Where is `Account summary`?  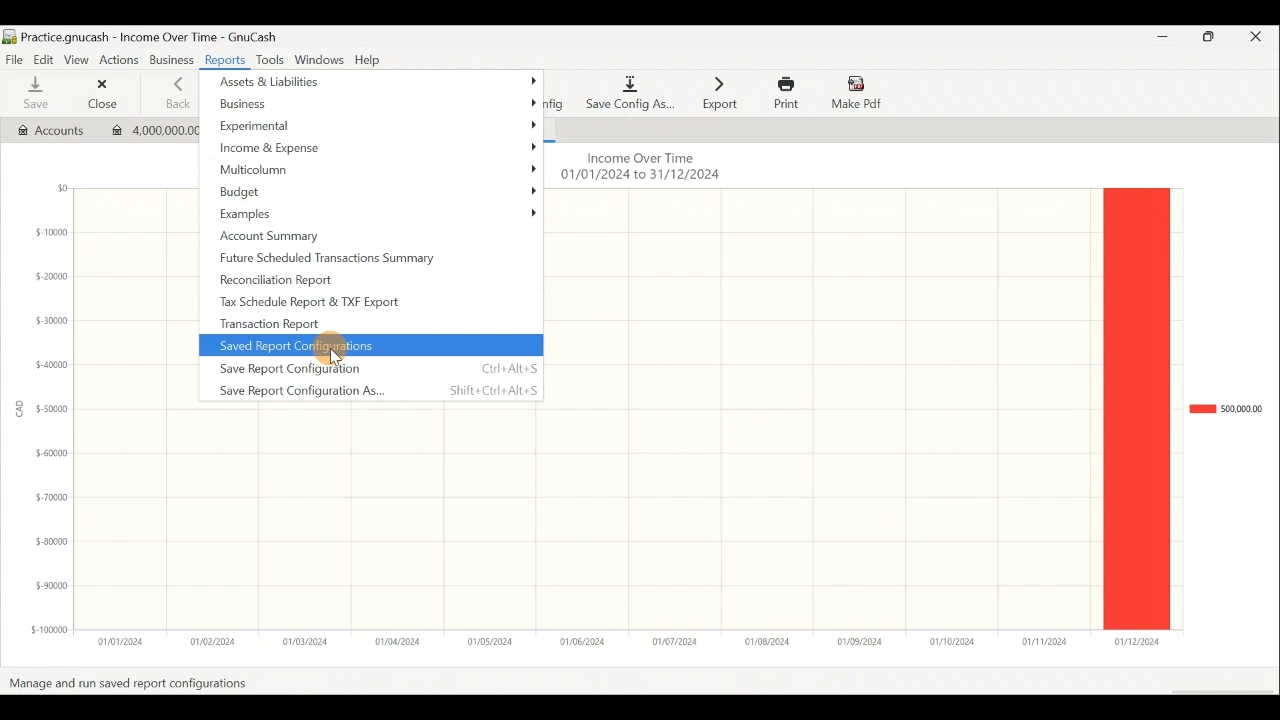
Account summary is located at coordinates (374, 237).